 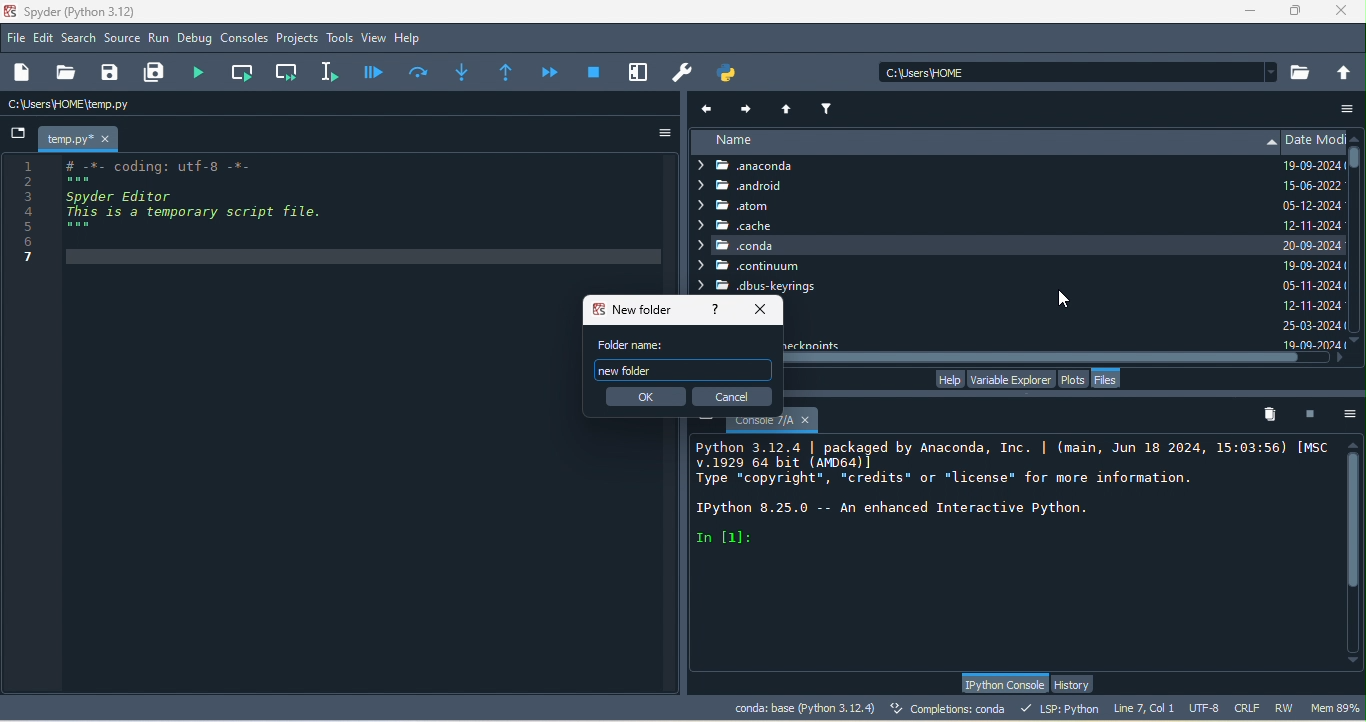 What do you see at coordinates (733, 396) in the screenshot?
I see `cancel` at bounding box center [733, 396].